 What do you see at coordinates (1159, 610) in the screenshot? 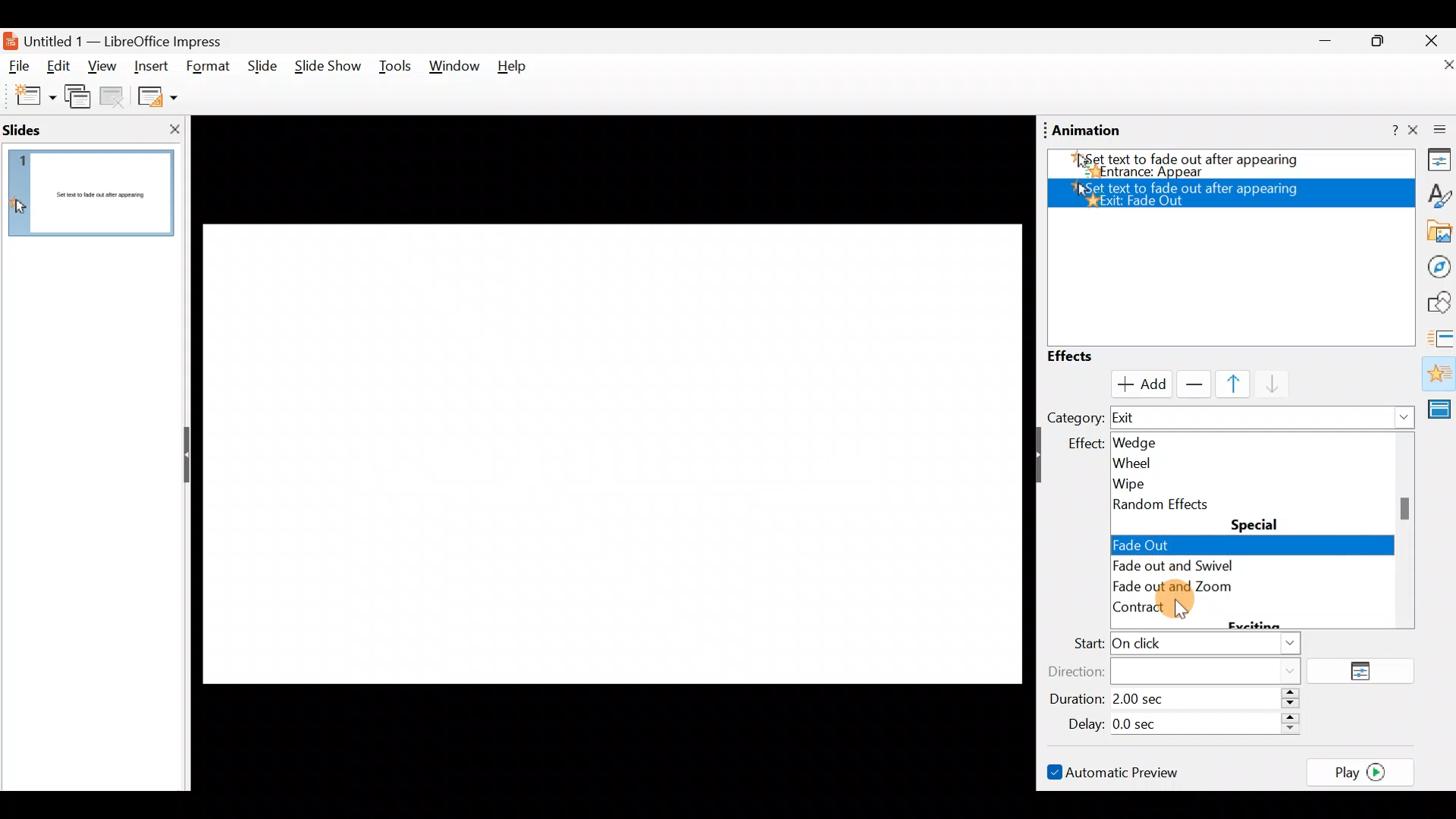
I see `Contract` at bounding box center [1159, 610].